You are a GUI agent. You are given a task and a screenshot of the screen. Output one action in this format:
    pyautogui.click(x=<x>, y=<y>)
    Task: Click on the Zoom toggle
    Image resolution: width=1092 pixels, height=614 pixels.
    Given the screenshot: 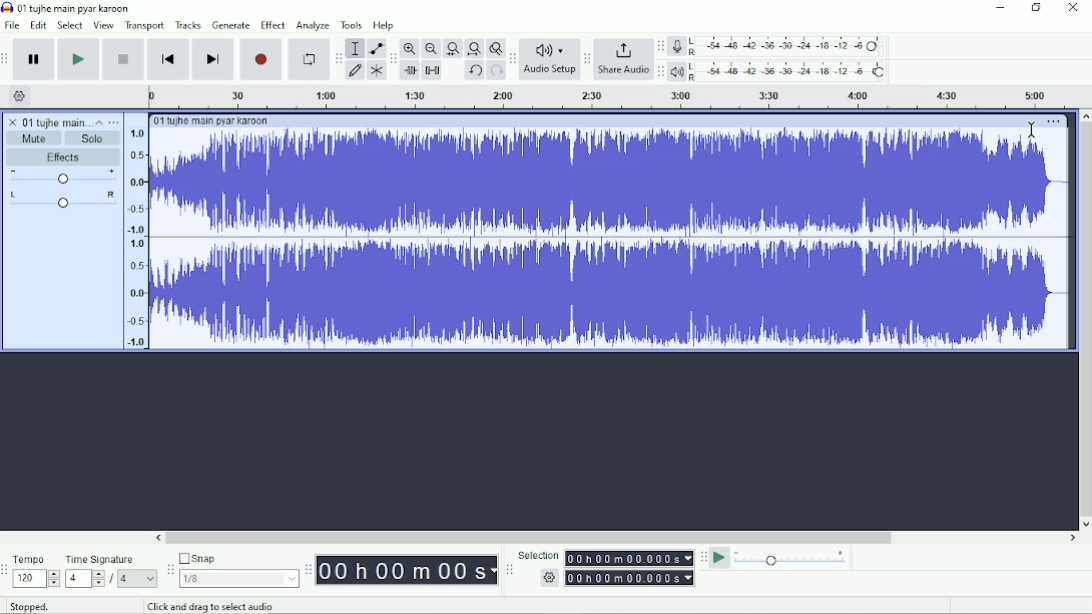 What is the action you would take?
    pyautogui.click(x=494, y=48)
    